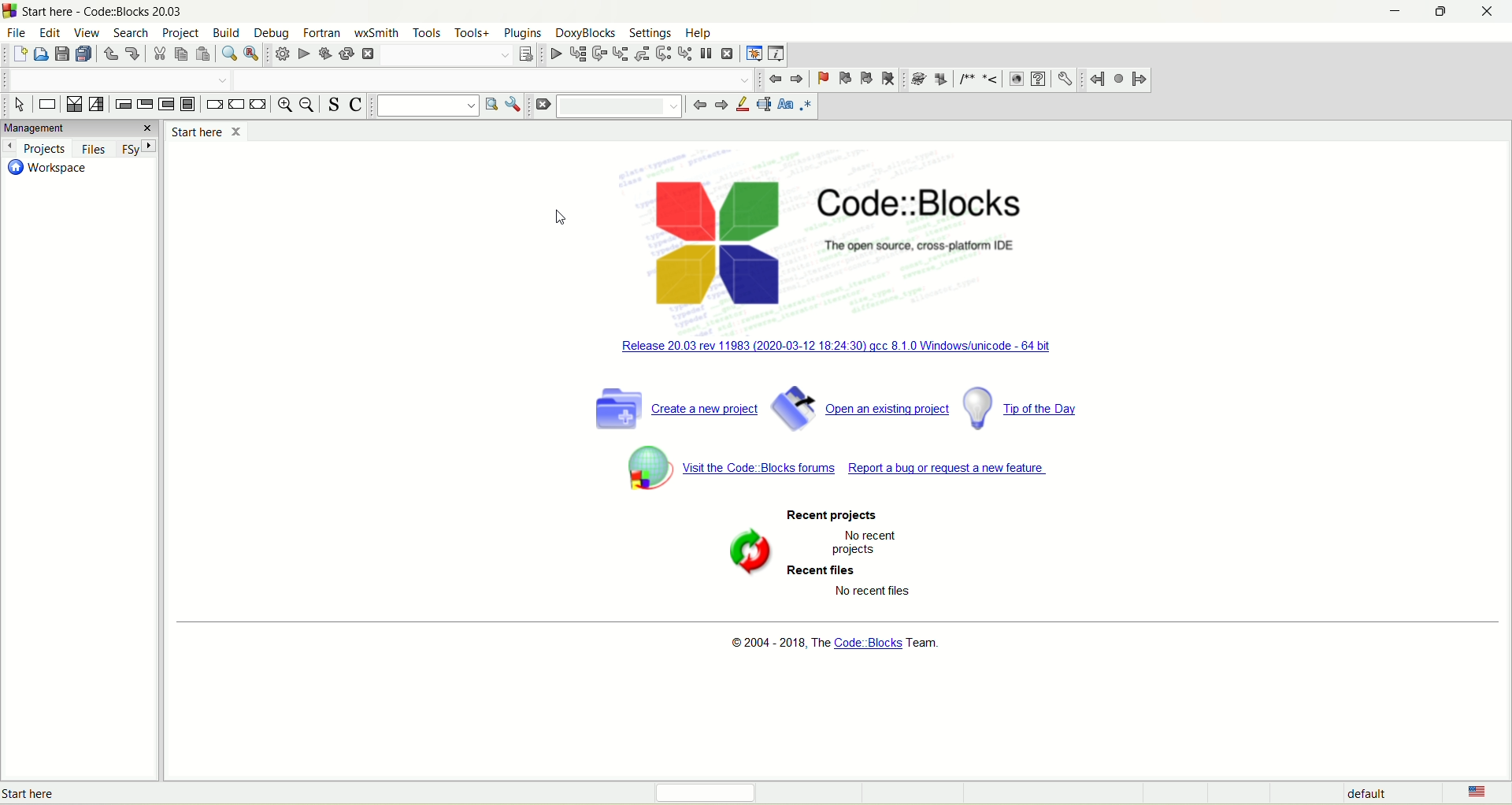 This screenshot has height=805, width=1512. Describe the element at coordinates (85, 54) in the screenshot. I see `save everything` at that location.